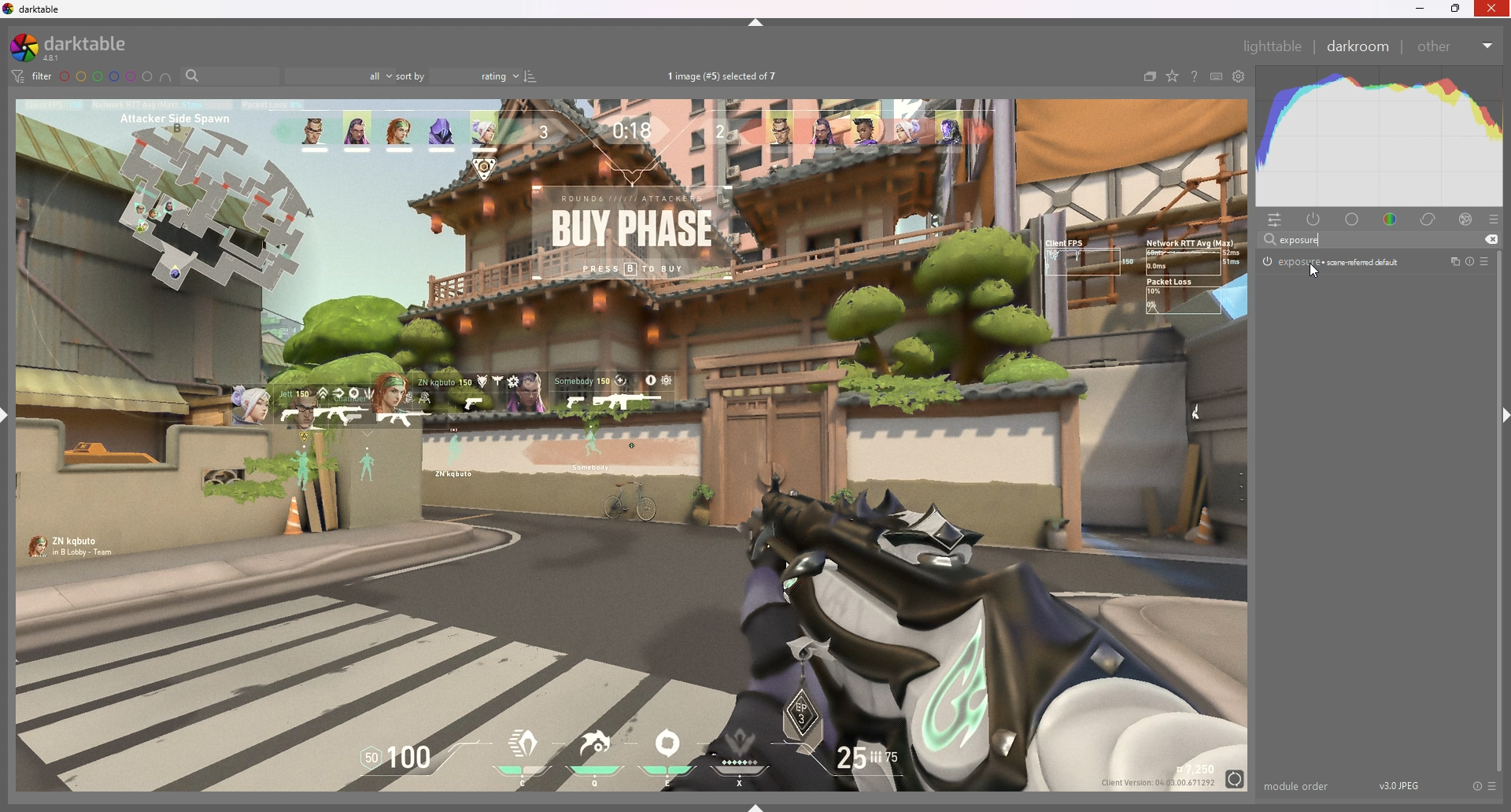 The width and height of the screenshot is (1511, 812). What do you see at coordinates (1456, 46) in the screenshot?
I see `other` at bounding box center [1456, 46].